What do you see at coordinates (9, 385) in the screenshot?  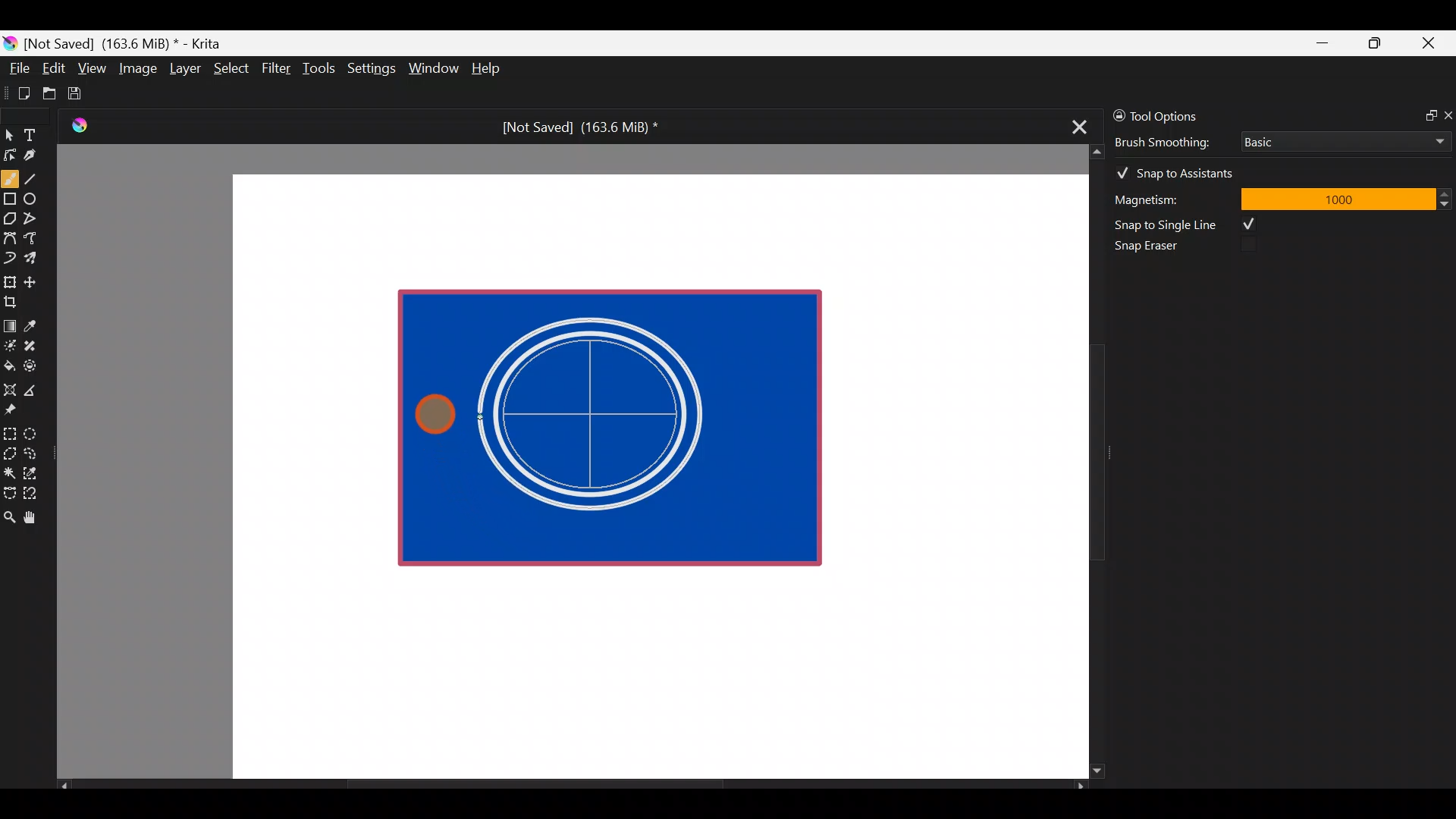 I see `Assistant tool` at bounding box center [9, 385].